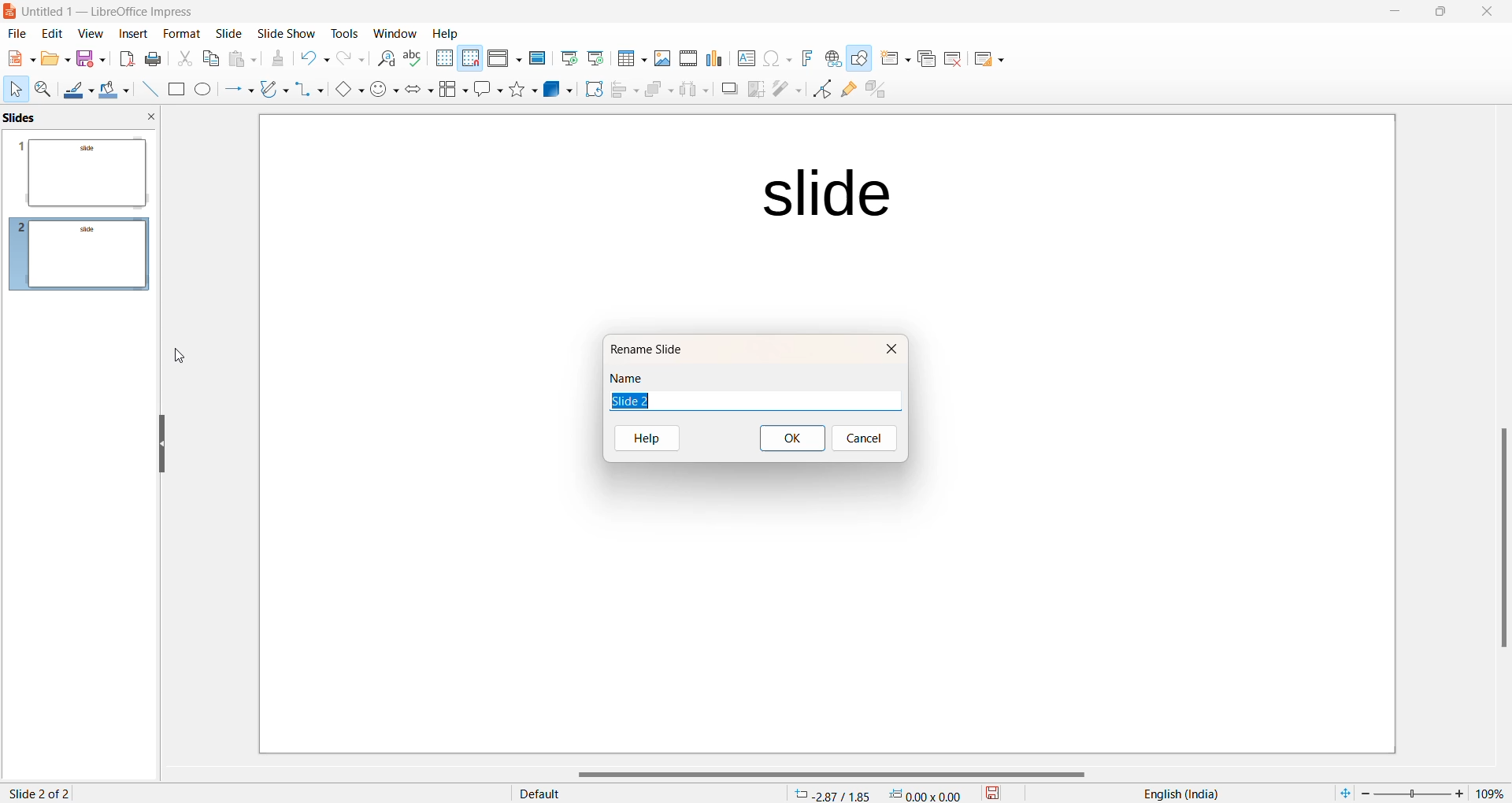 This screenshot has height=803, width=1512. I want to click on slide, so click(824, 194).